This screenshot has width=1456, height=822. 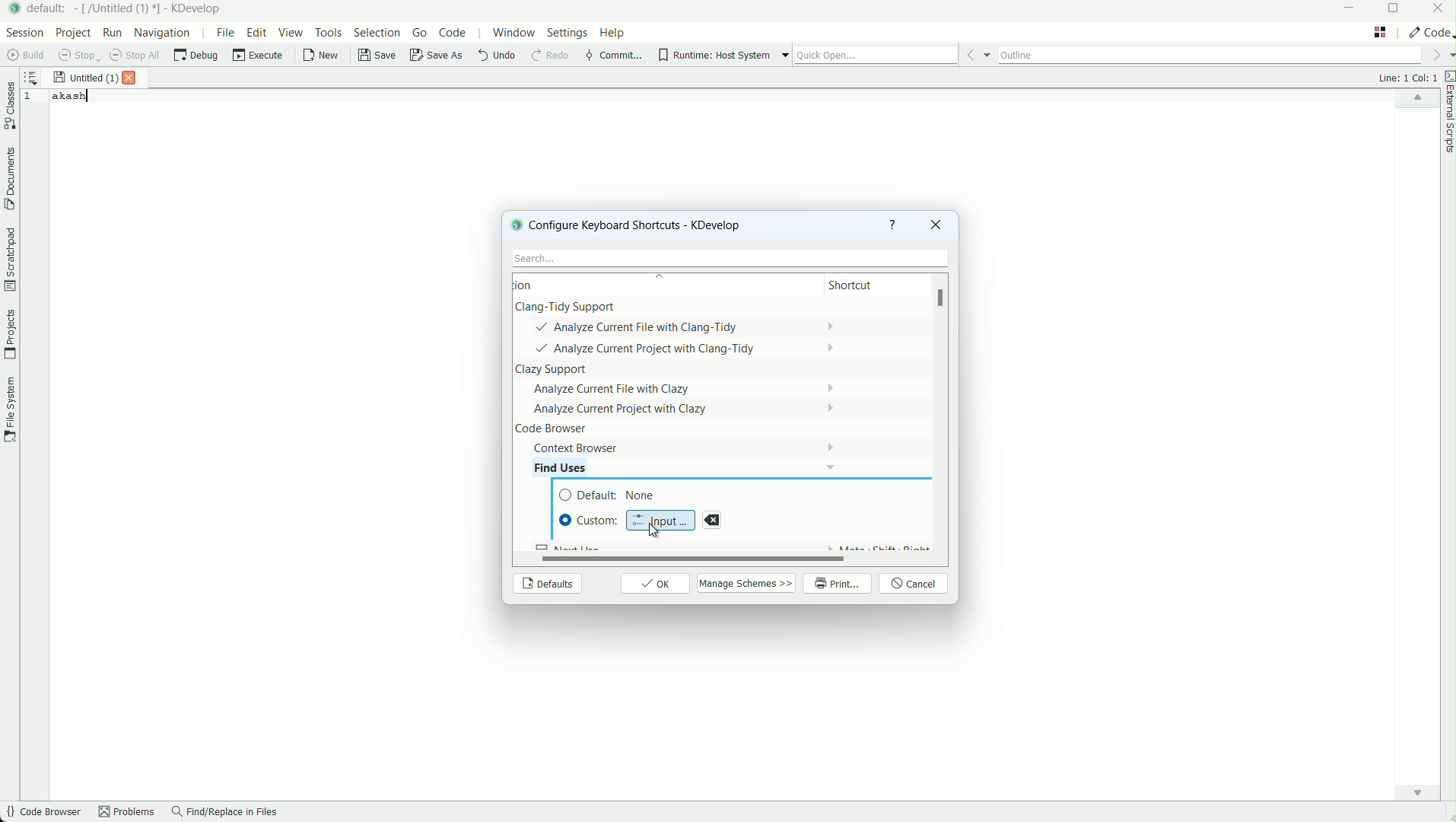 What do you see at coordinates (1380, 32) in the screenshot?
I see `change layout` at bounding box center [1380, 32].